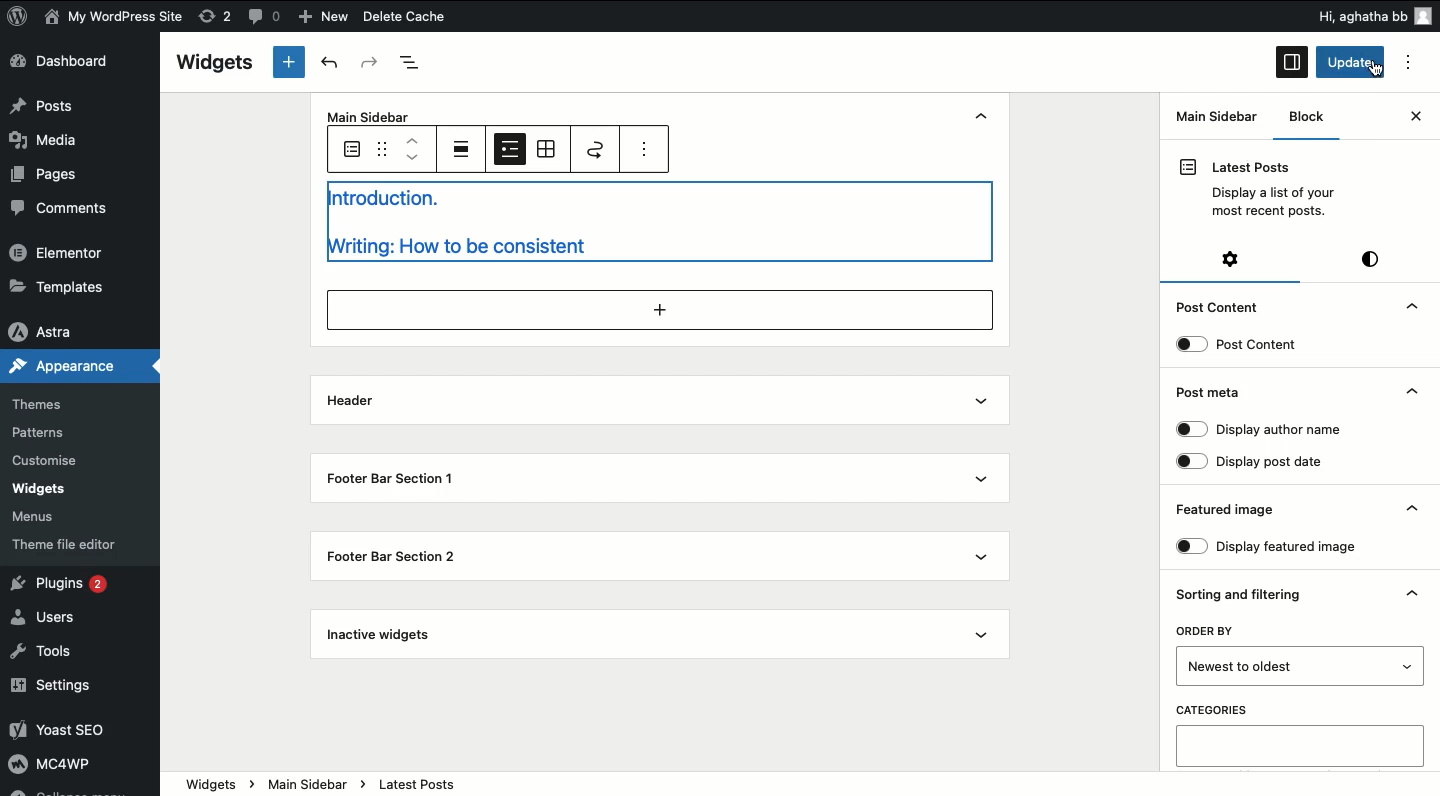  What do you see at coordinates (72, 726) in the screenshot?
I see ` Yoast SEO ` at bounding box center [72, 726].